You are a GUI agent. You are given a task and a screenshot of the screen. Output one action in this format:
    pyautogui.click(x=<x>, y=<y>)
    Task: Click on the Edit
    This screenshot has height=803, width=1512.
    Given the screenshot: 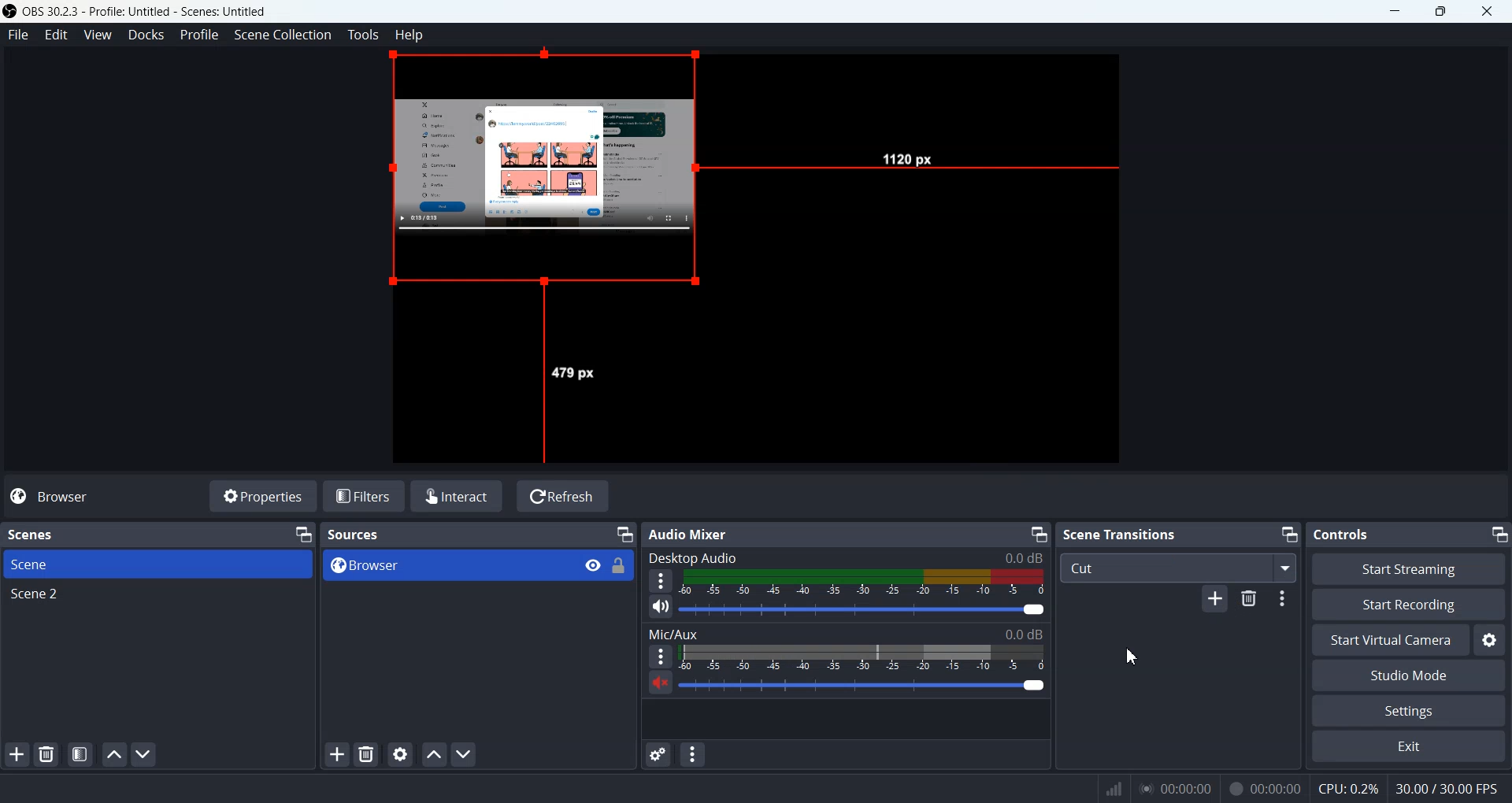 What is the action you would take?
    pyautogui.click(x=57, y=35)
    